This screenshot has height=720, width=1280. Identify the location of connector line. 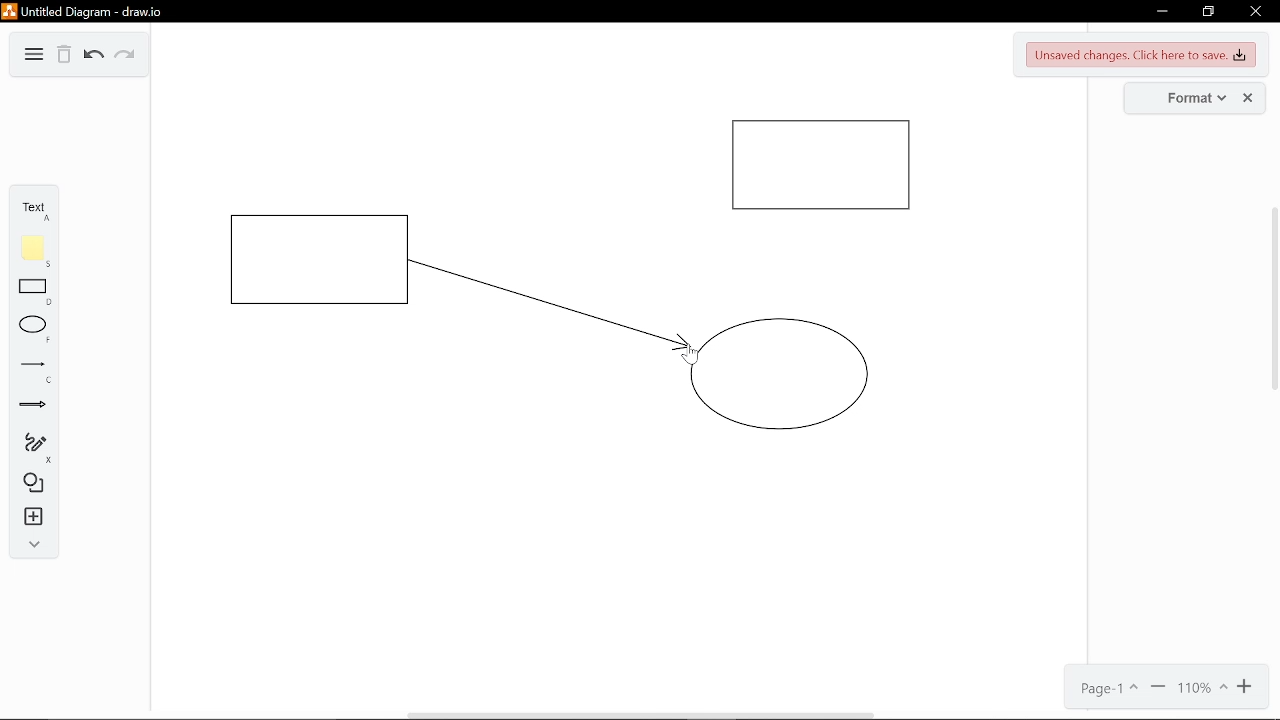
(551, 305).